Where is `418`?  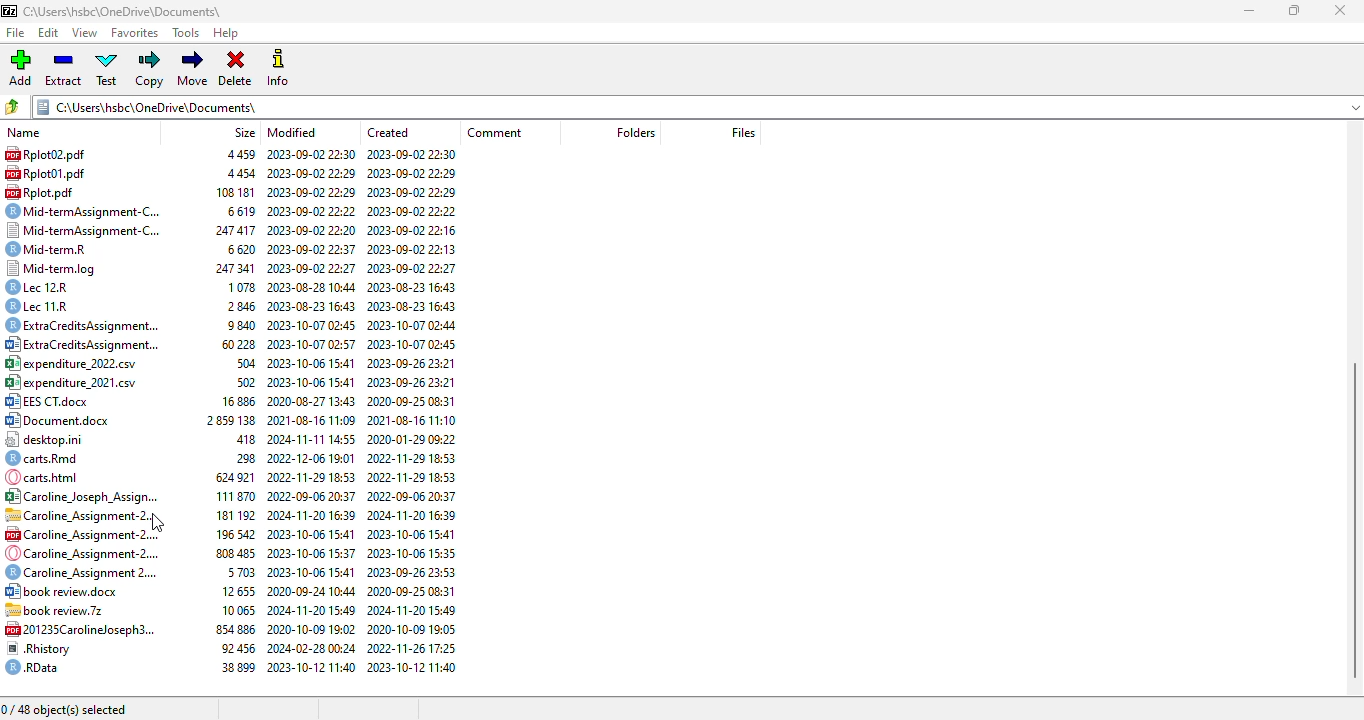
418 is located at coordinates (241, 438).